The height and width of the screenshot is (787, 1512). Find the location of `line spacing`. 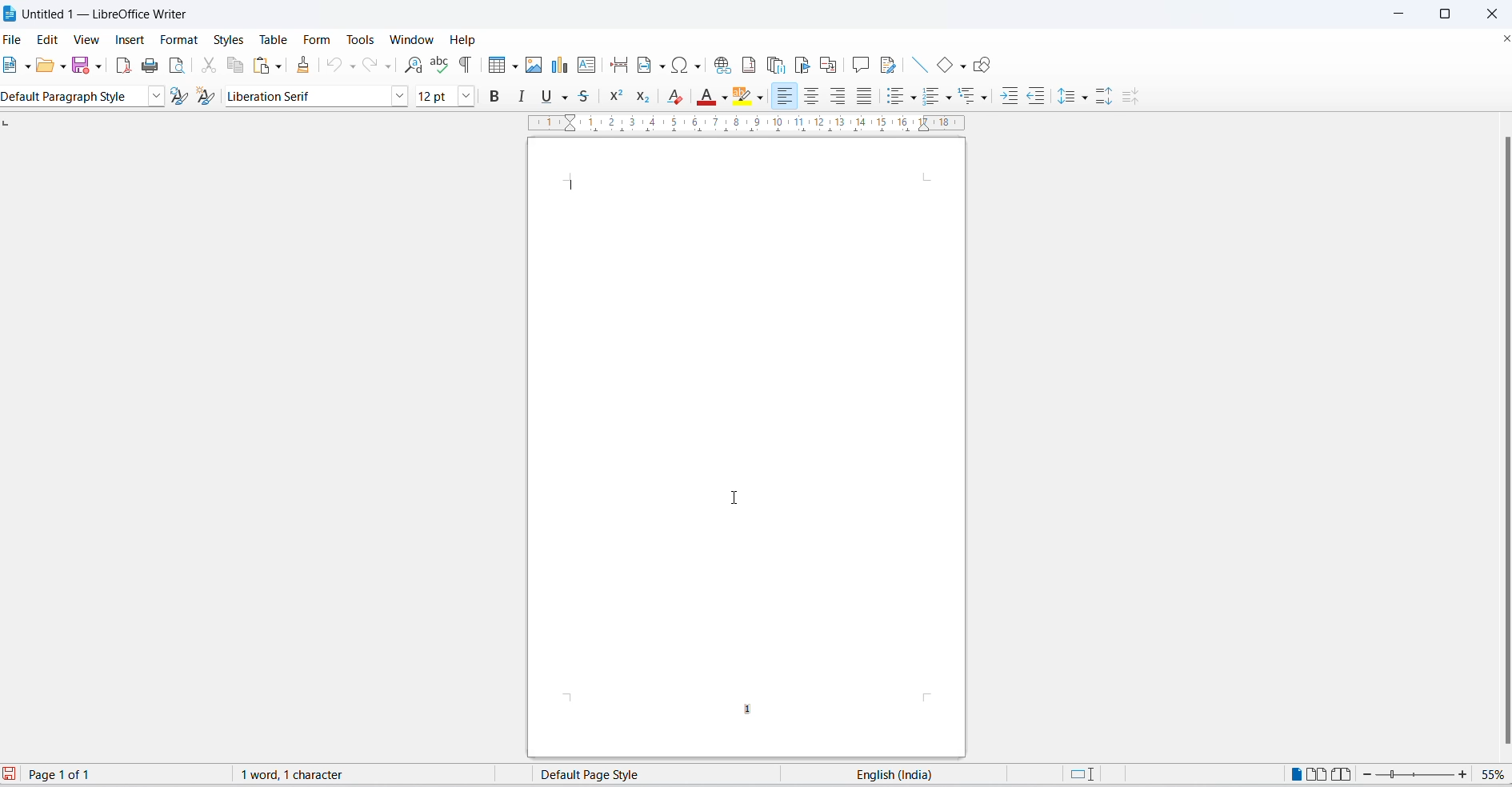

line spacing is located at coordinates (1068, 97).